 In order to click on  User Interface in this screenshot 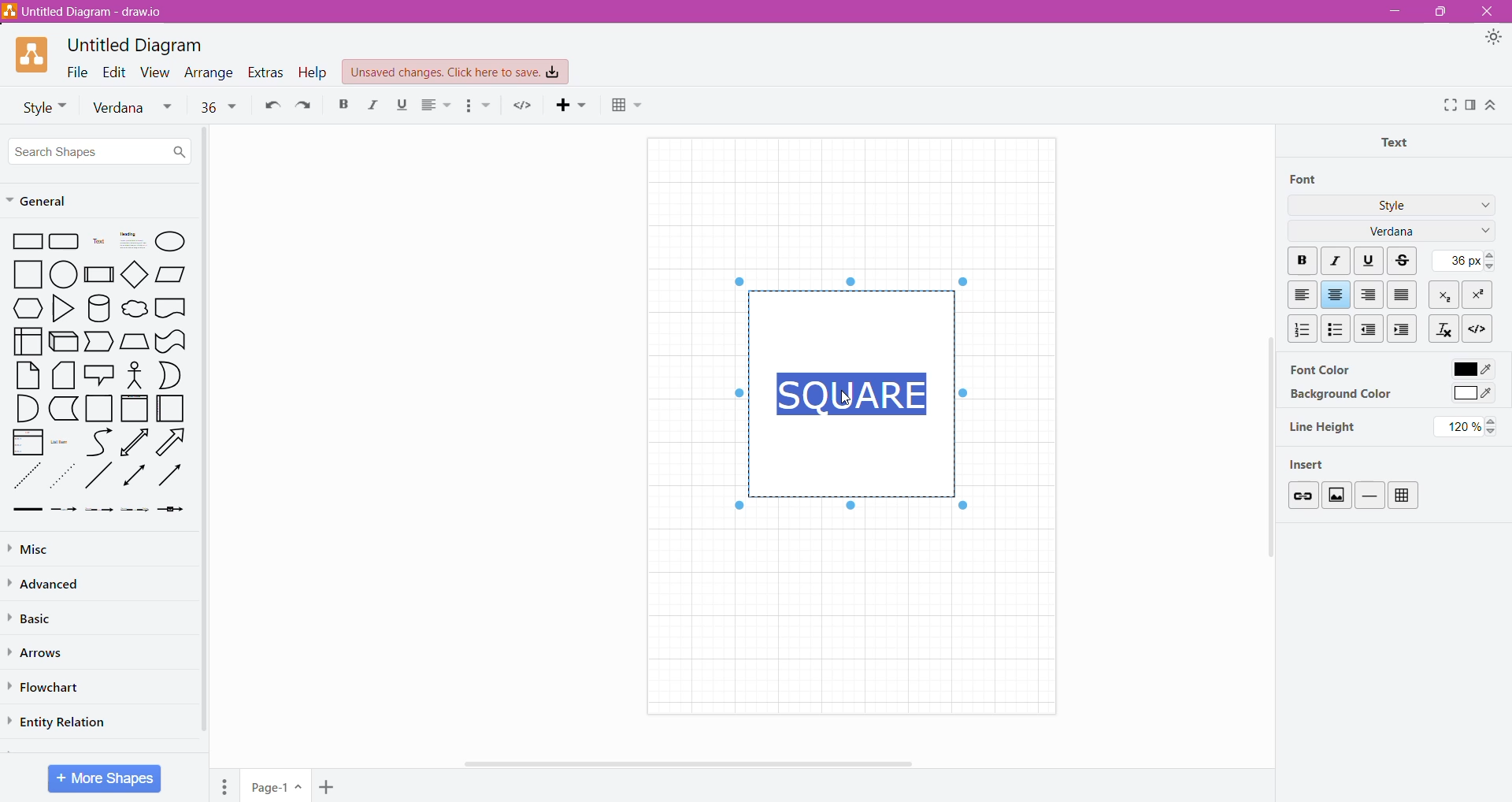, I will do `click(27, 340)`.